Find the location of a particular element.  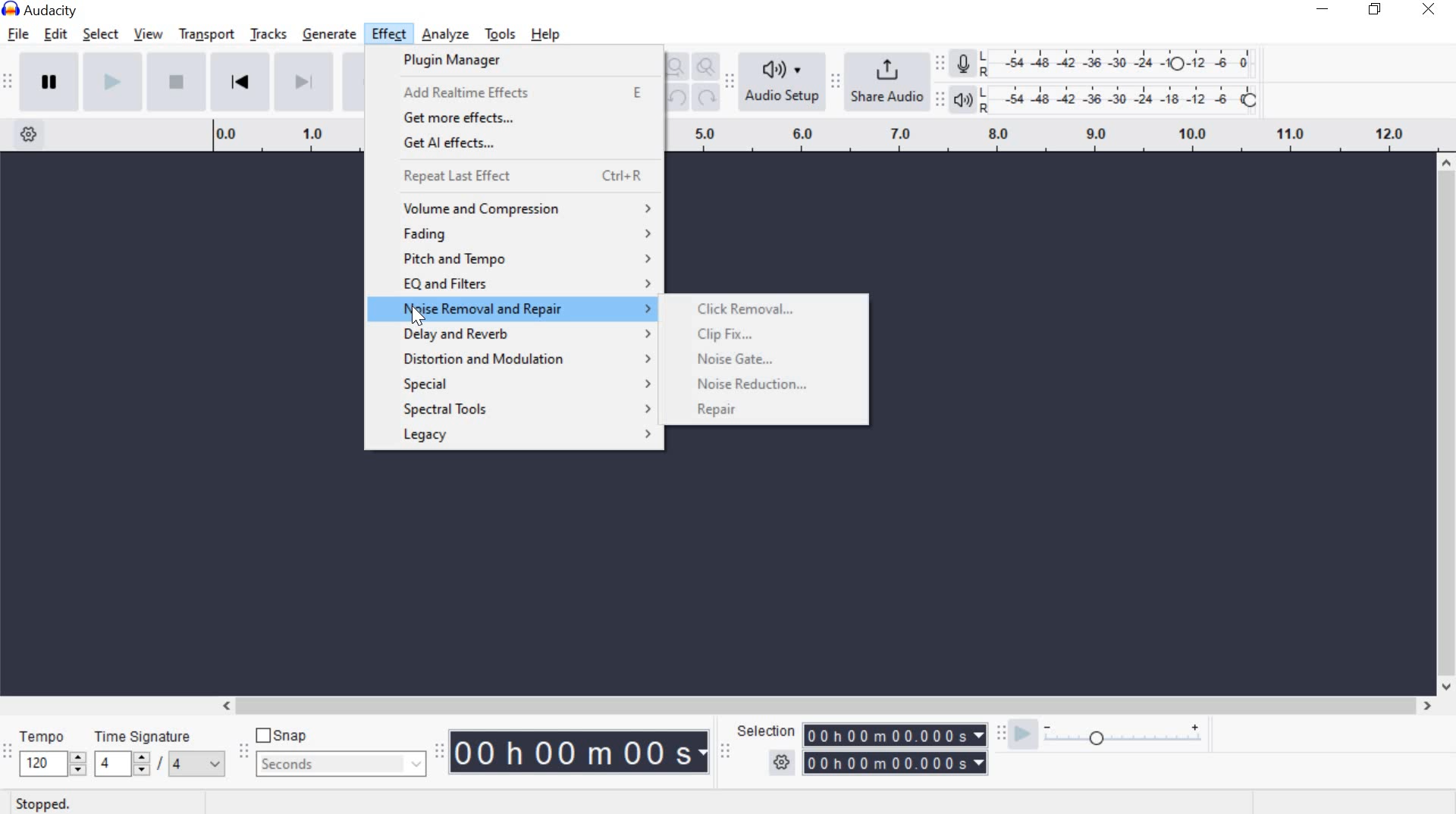

get Aleffects is located at coordinates (477, 143).